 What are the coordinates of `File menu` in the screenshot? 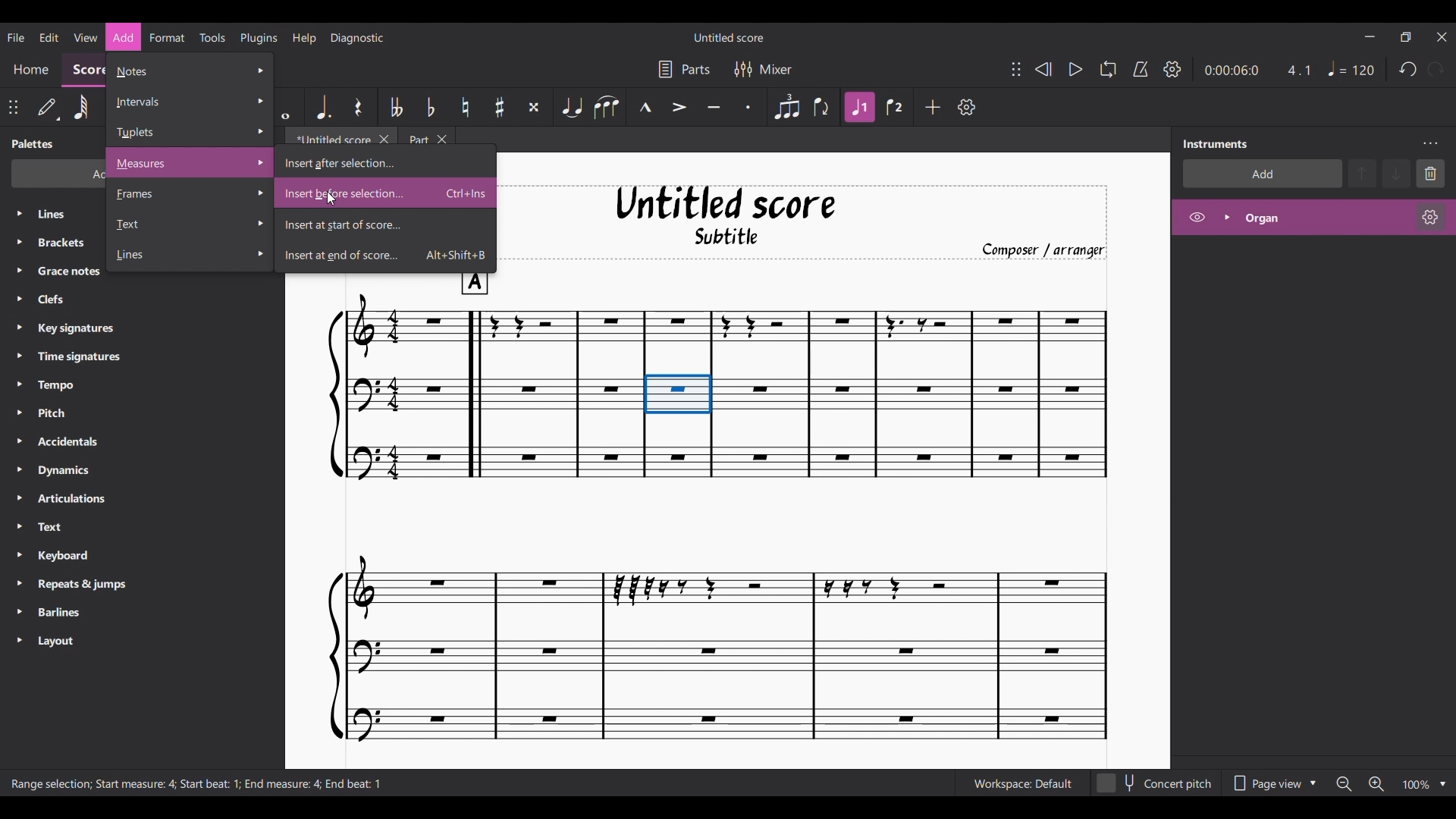 It's located at (16, 37).